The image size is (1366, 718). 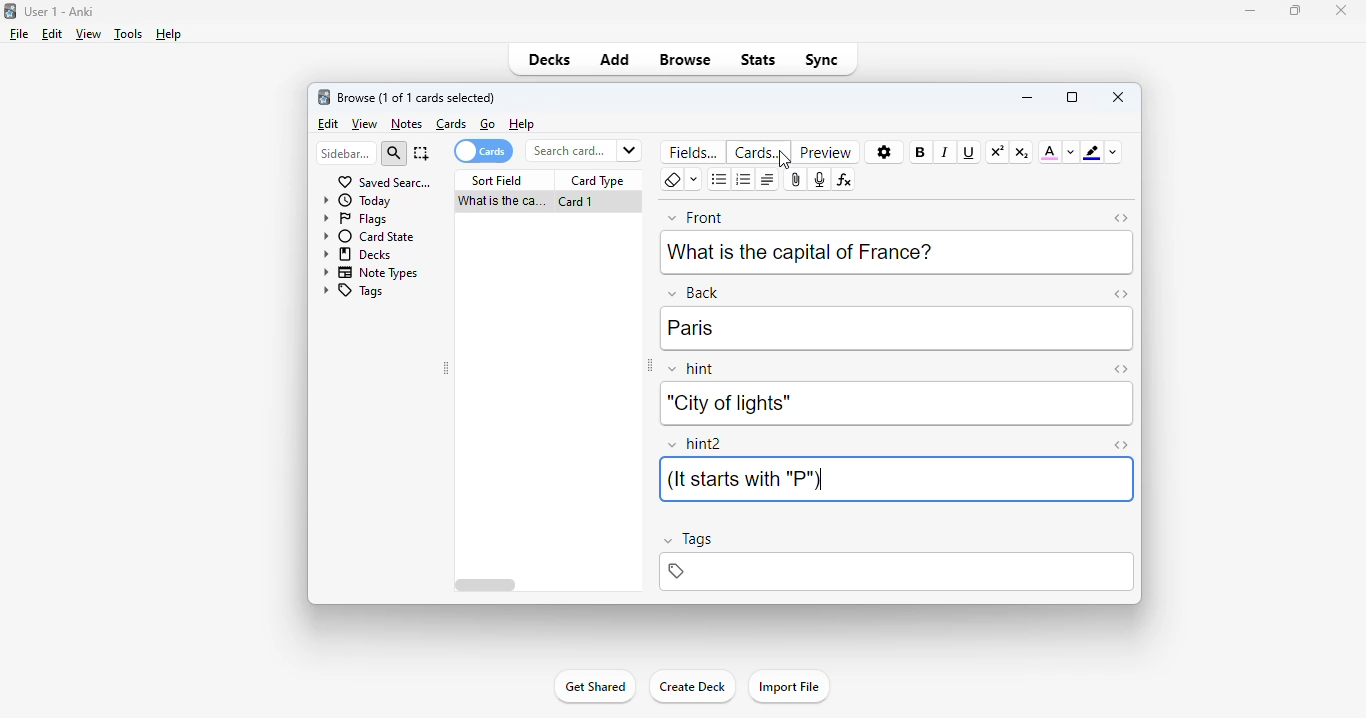 What do you see at coordinates (1072, 97) in the screenshot?
I see `maximize` at bounding box center [1072, 97].